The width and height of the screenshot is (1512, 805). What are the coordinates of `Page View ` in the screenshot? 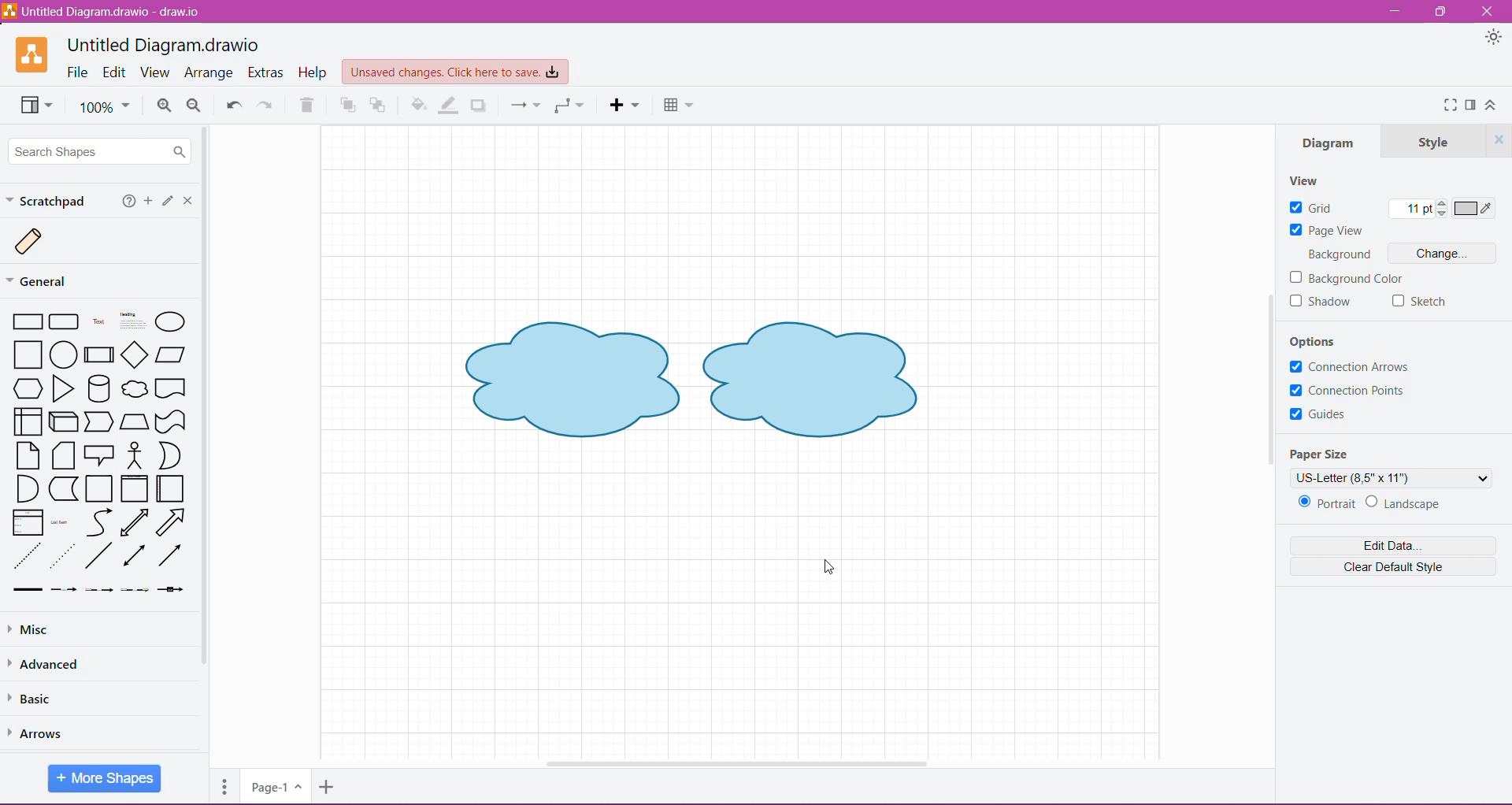 It's located at (1328, 231).